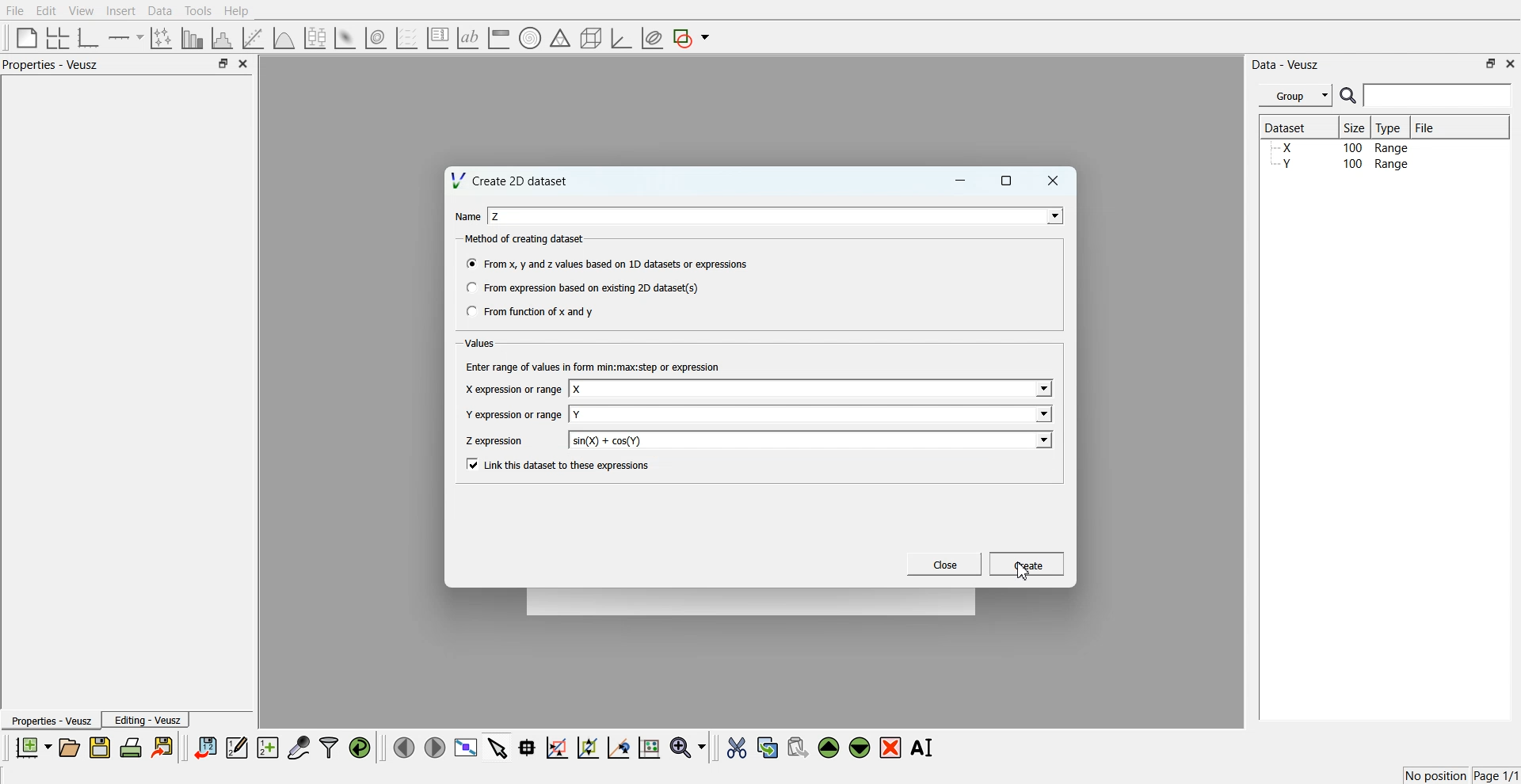 Image resolution: width=1521 pixels, height=784 pixels. I want to click on Size, so click(1355, 127).